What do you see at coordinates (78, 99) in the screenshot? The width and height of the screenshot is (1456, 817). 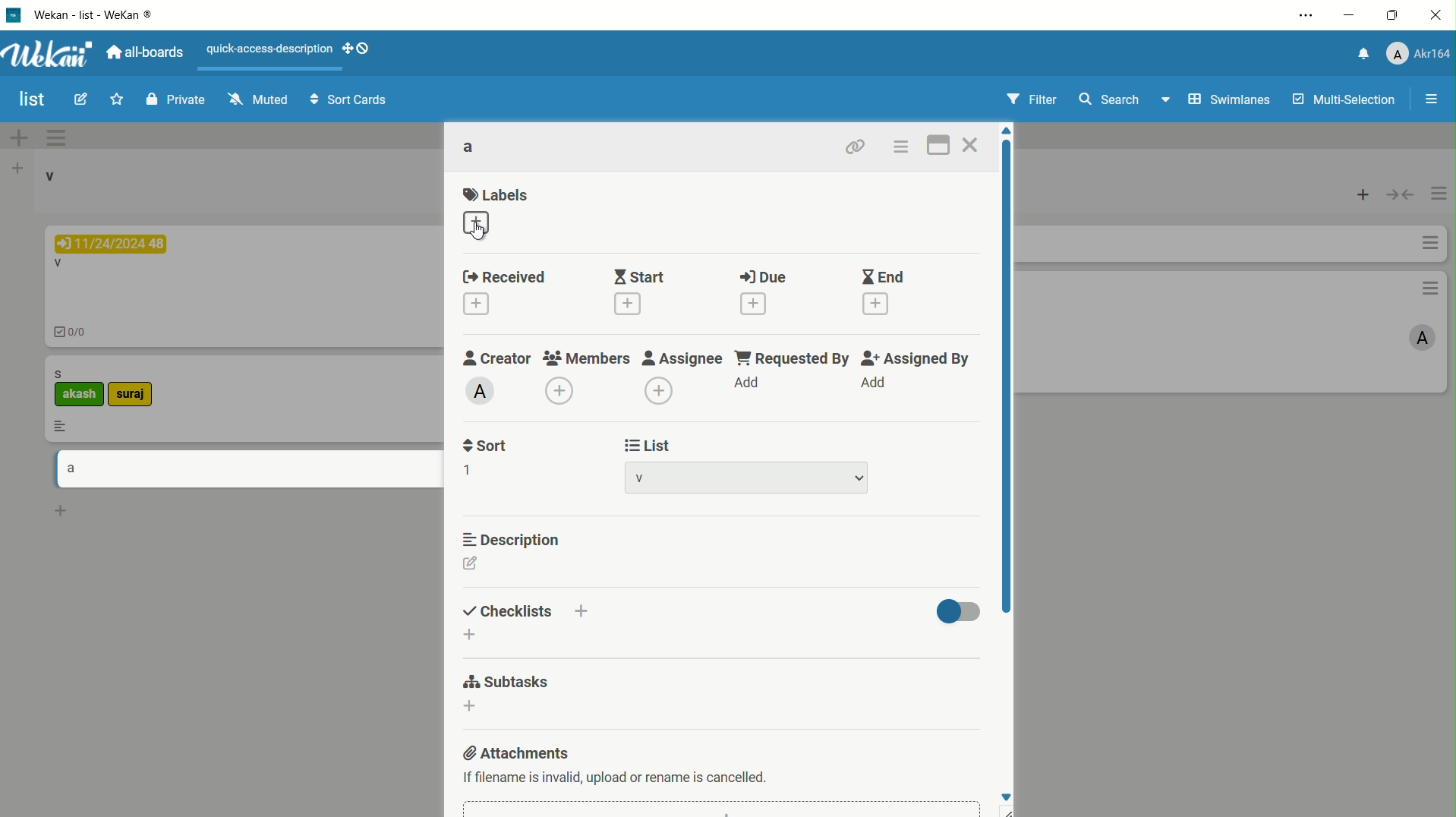 I see `edit` at bounding box center [78, 99].